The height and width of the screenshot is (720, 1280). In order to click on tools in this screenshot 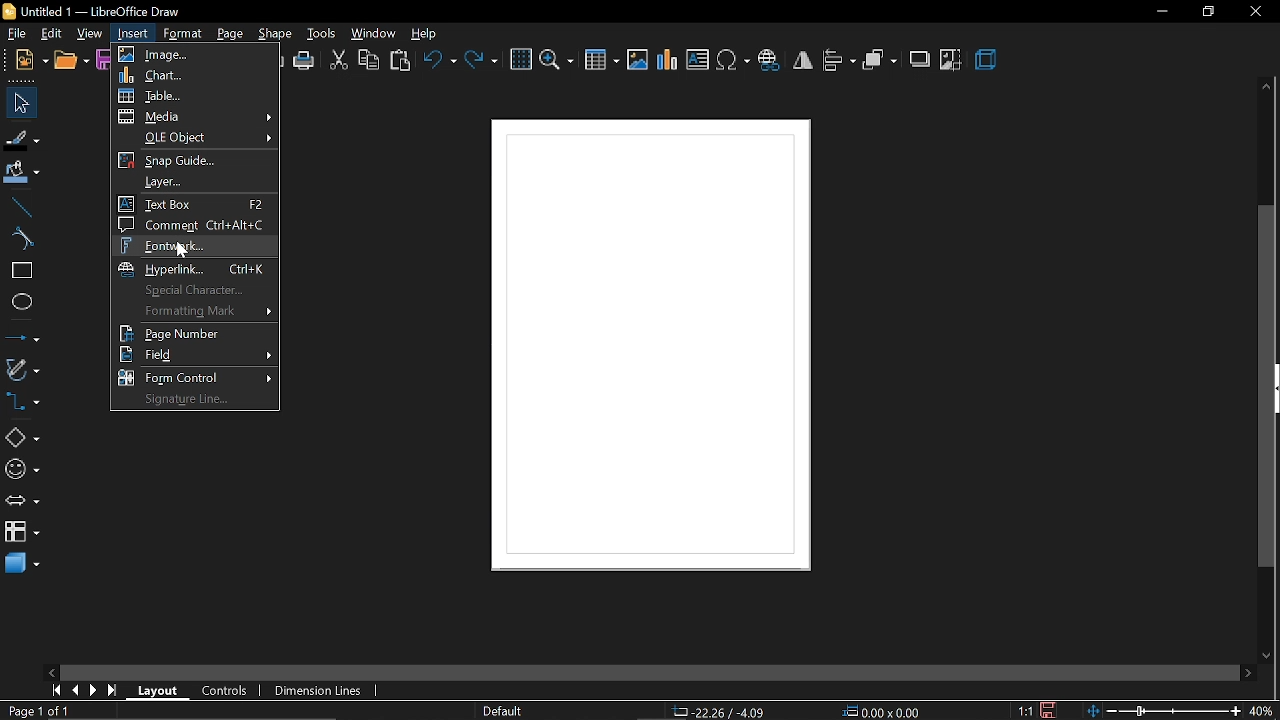, I will do `click(322, 34)`.